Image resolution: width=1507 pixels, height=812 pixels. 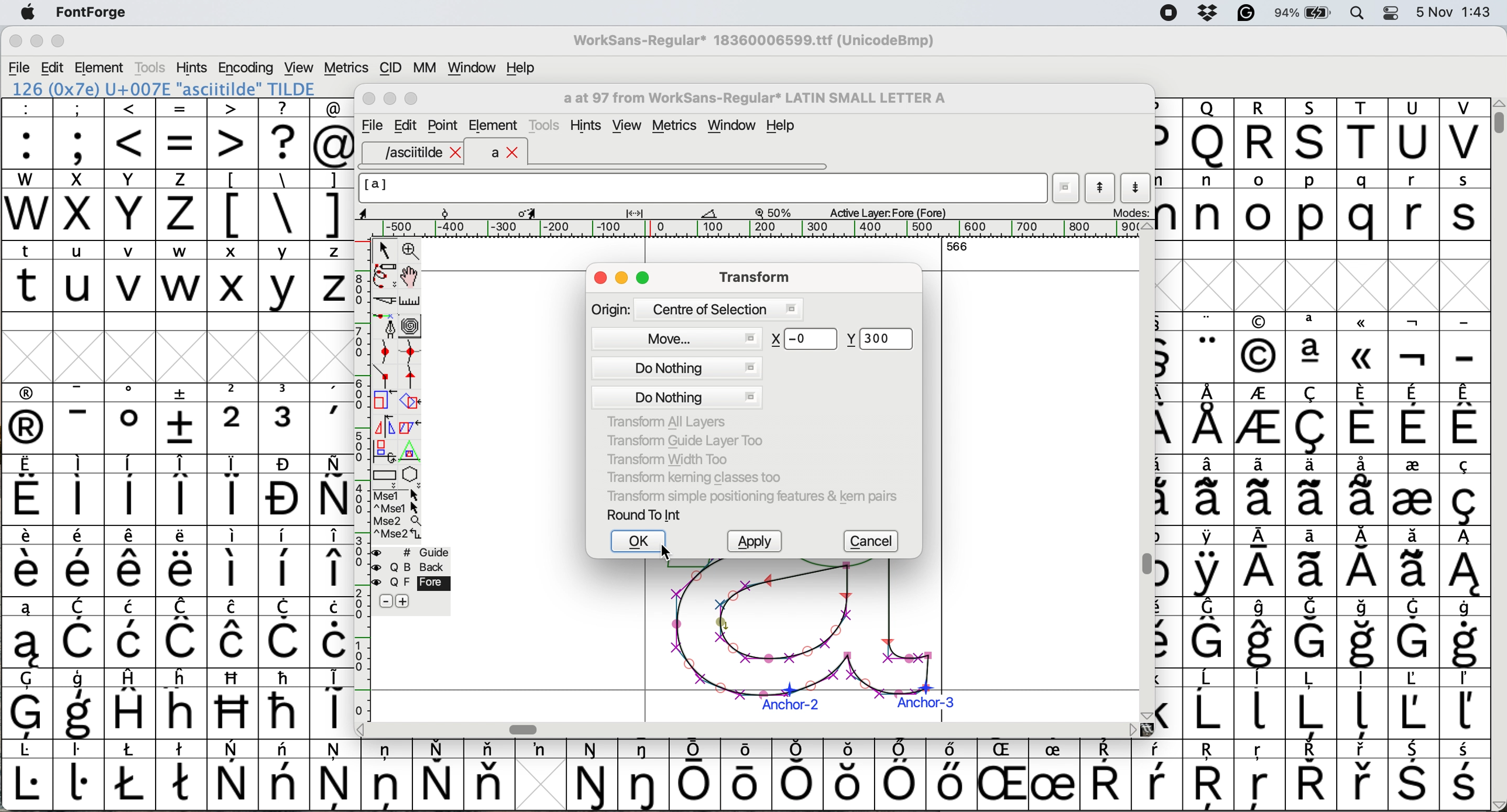 I want to click on symbol, so click(x=1365, y=634).